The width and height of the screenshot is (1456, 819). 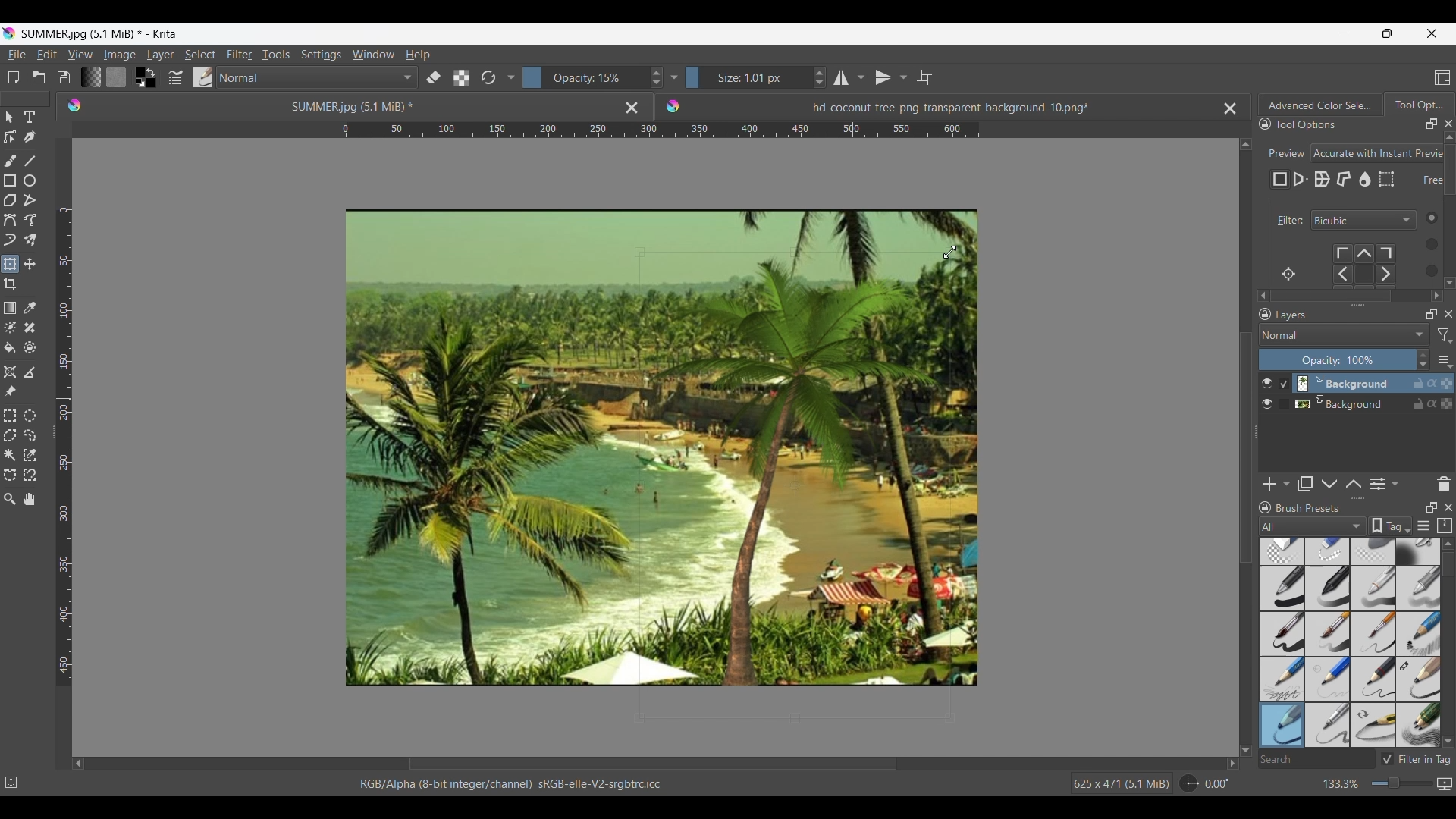 What do you see at coordinates (1432, 124) in the screenshot?
I see `Float docker` at bounding box center [1432, 124].